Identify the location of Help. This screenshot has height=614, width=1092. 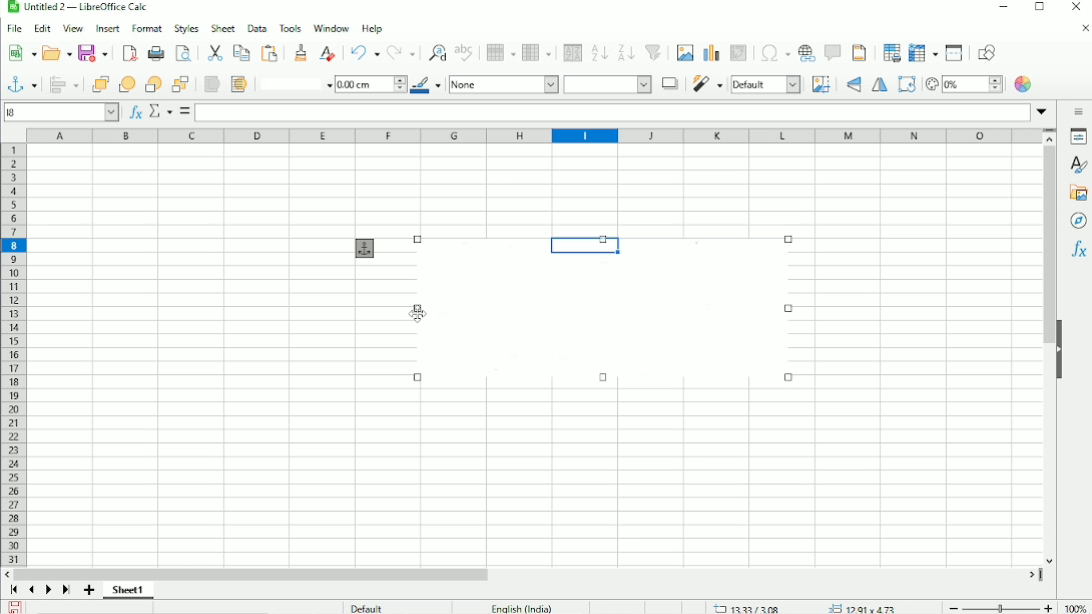
(372, 28).